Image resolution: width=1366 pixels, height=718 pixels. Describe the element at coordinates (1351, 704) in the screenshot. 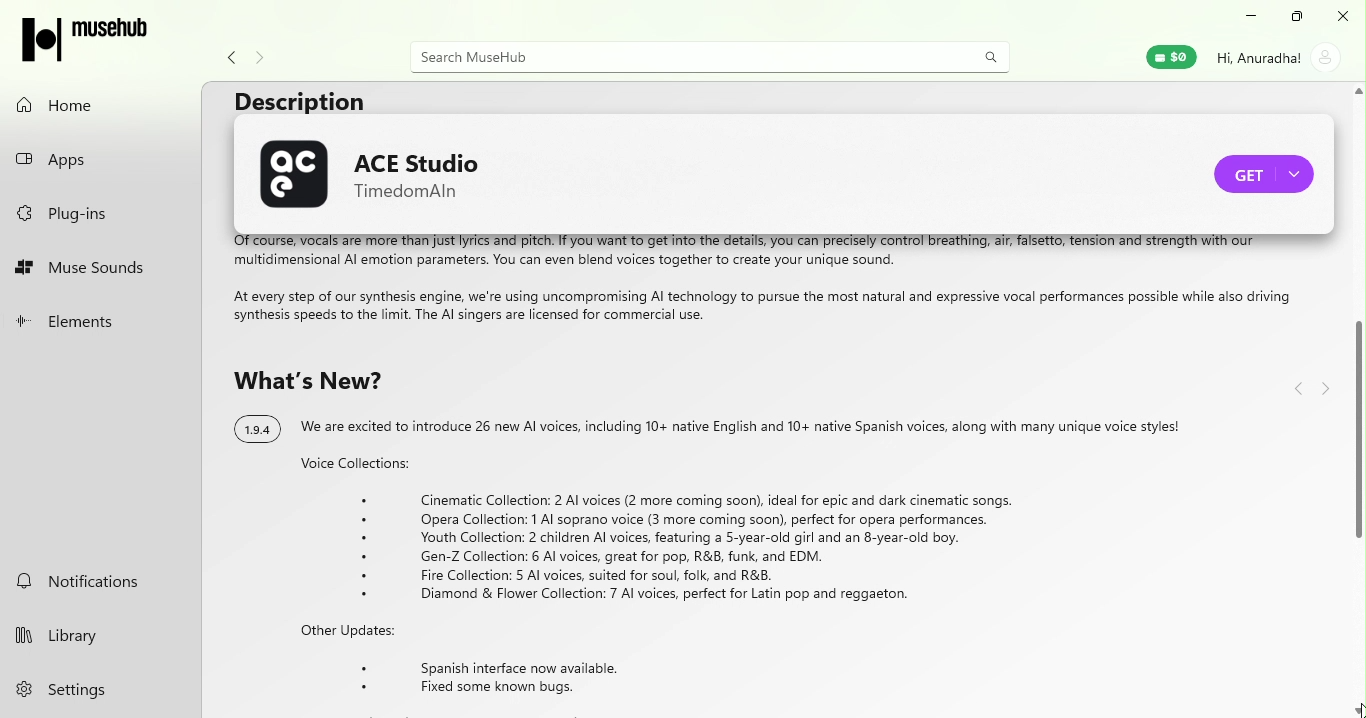

I see `cursor` at that location.